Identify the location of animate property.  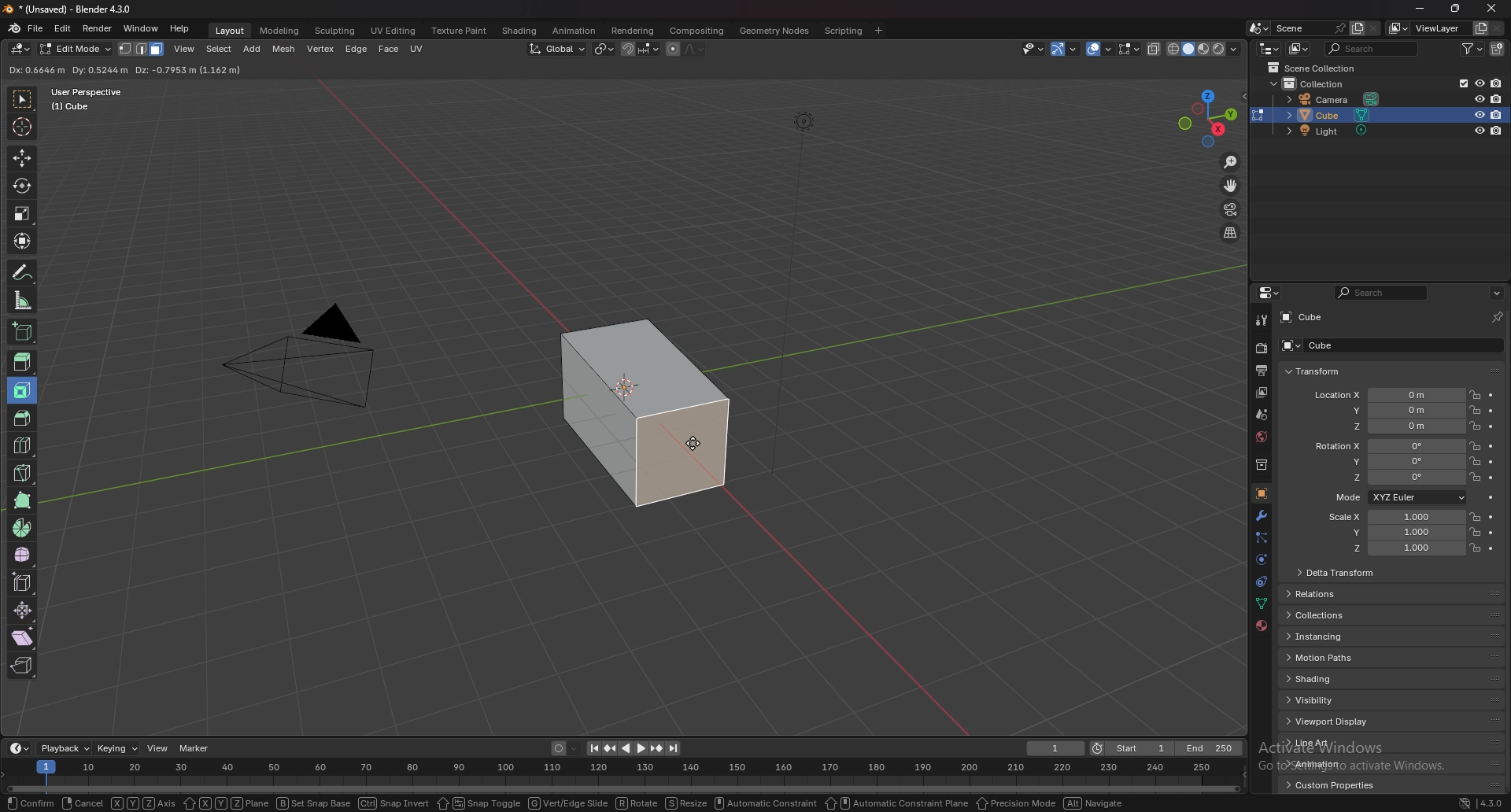
(1492, 409).